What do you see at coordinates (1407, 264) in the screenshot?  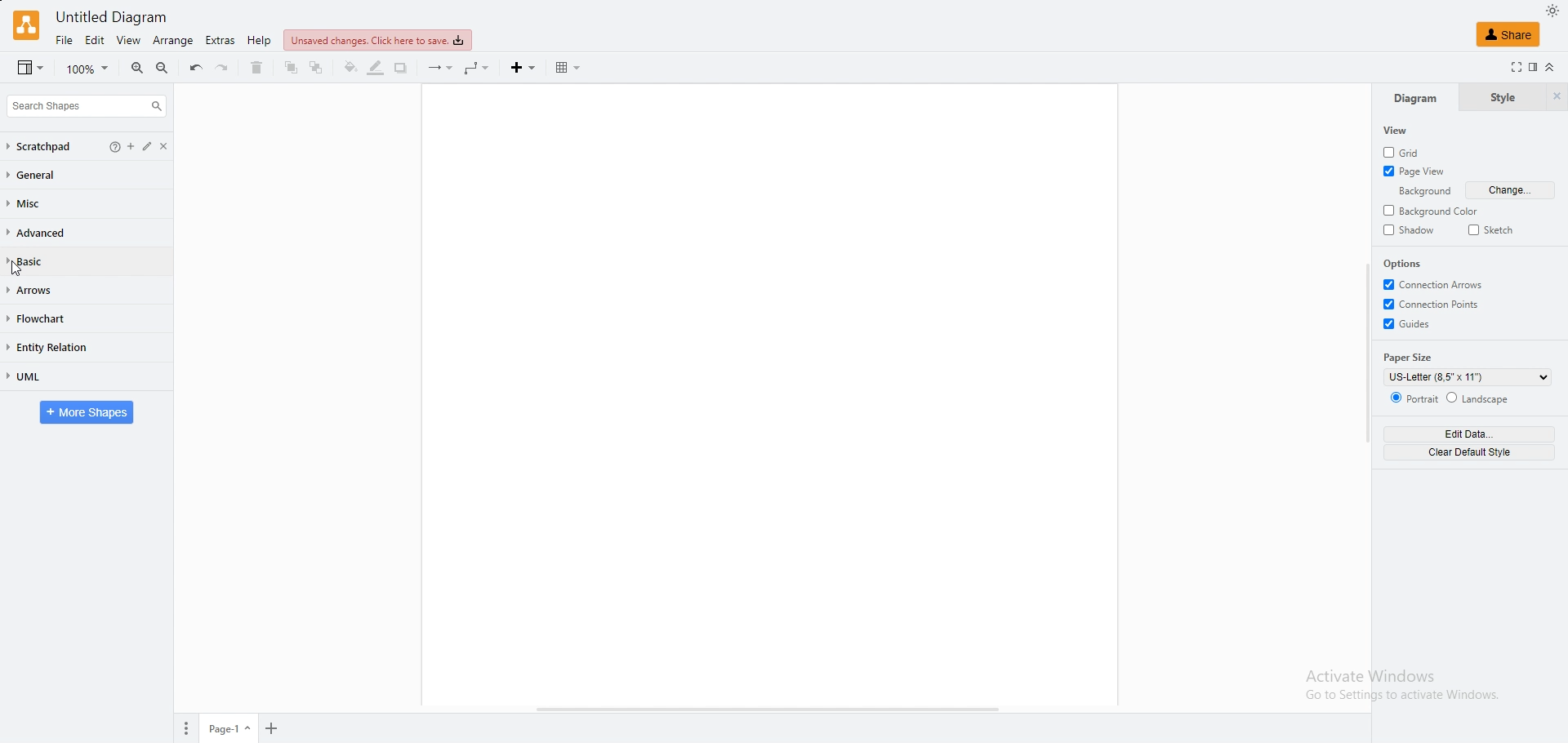 I see `options` at bounding box center [1407, 264].